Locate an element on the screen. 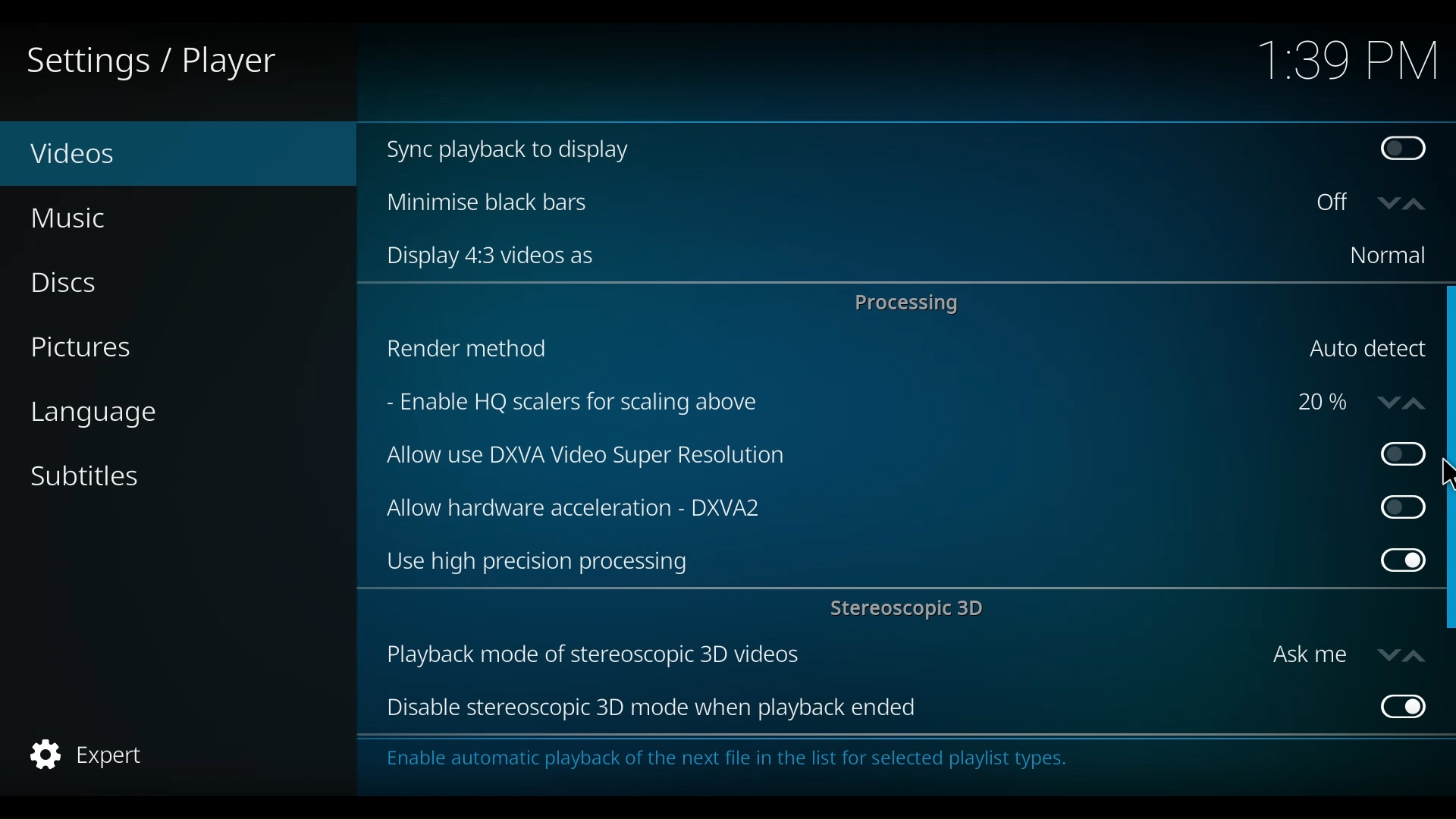 This screenshot has width=1456, height=819. down is located at coordinates (1389, 203).